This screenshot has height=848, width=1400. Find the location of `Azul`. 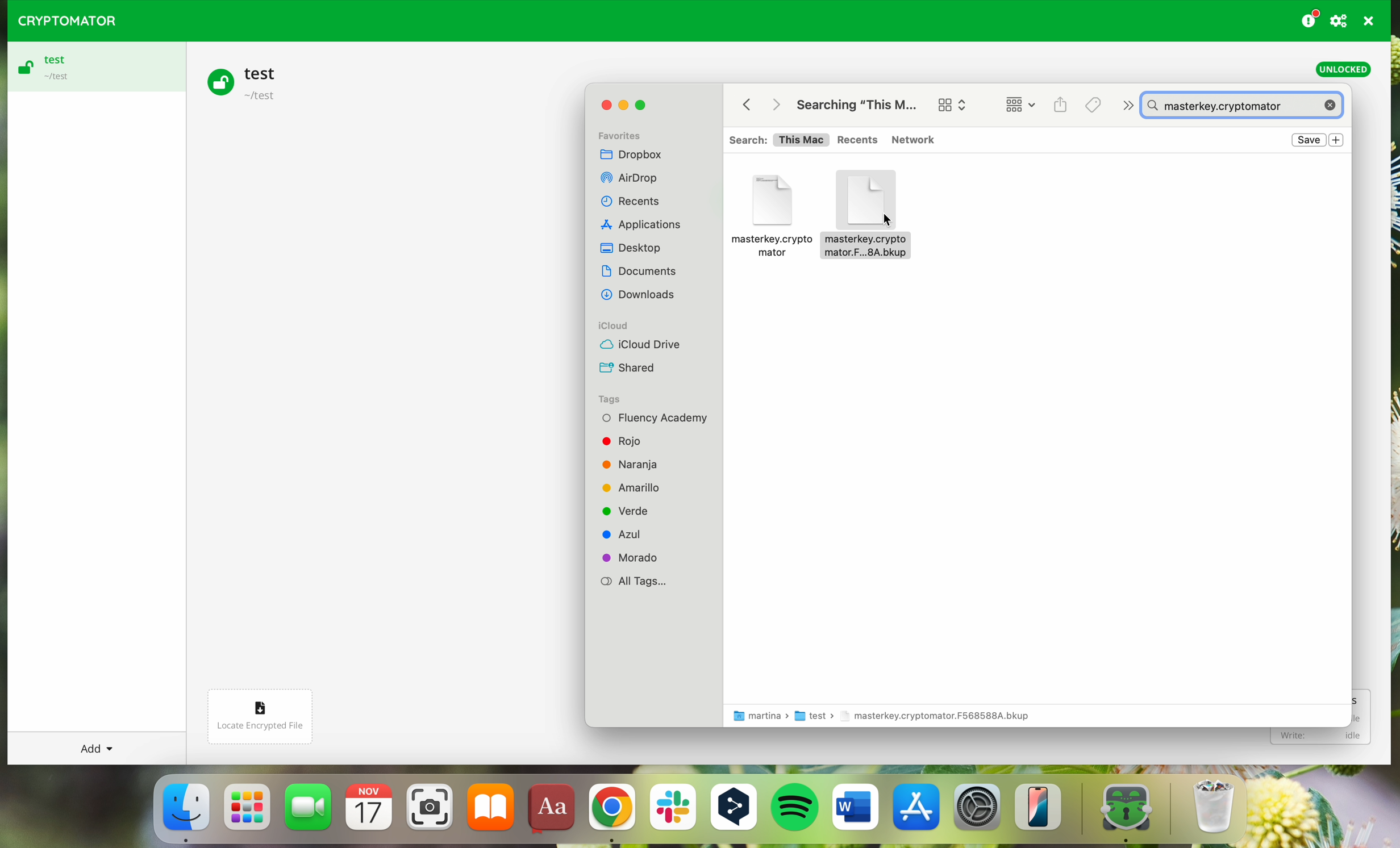

Azul is located at coordinates (631, 534).